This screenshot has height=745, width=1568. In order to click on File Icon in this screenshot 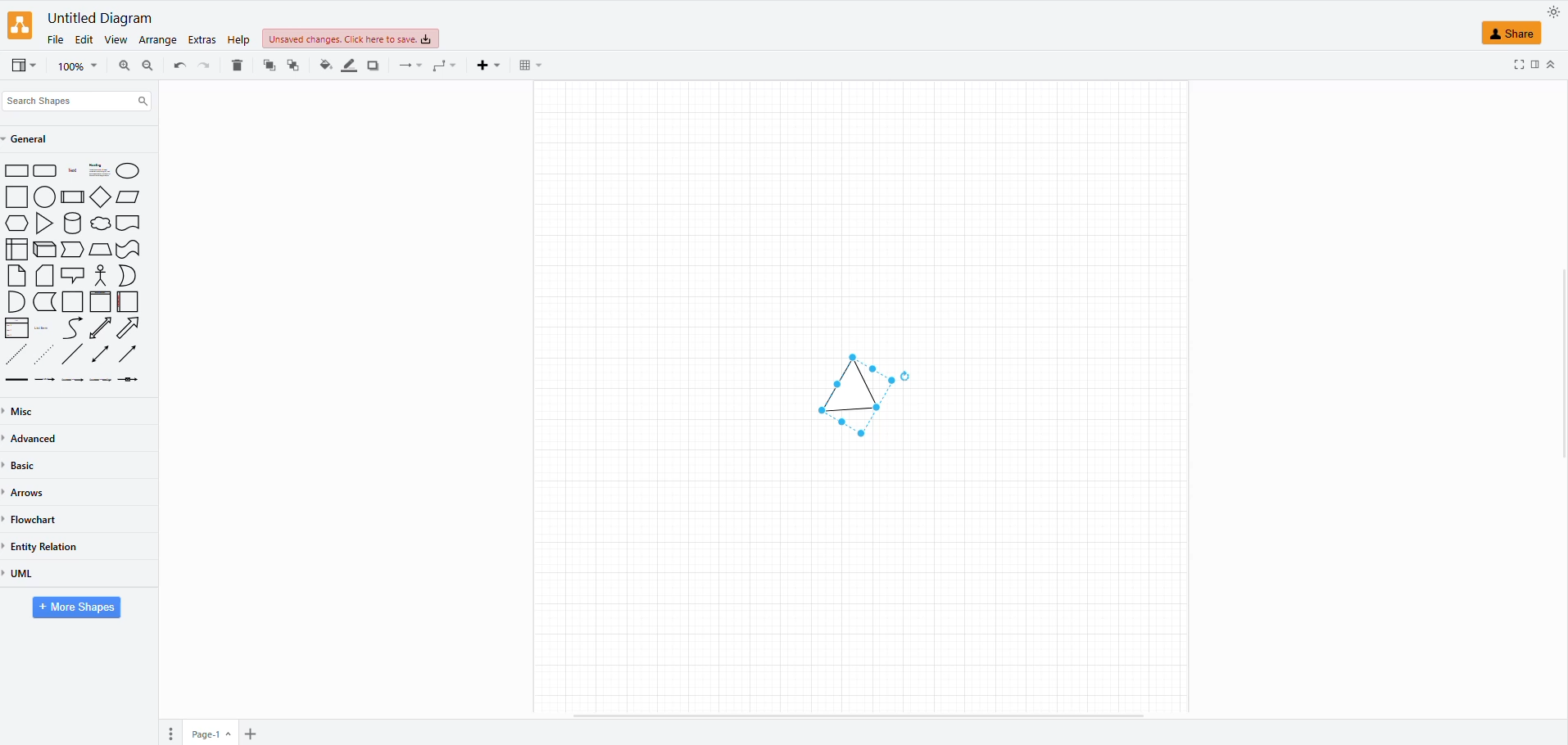, I will do `click(45, 276)`.